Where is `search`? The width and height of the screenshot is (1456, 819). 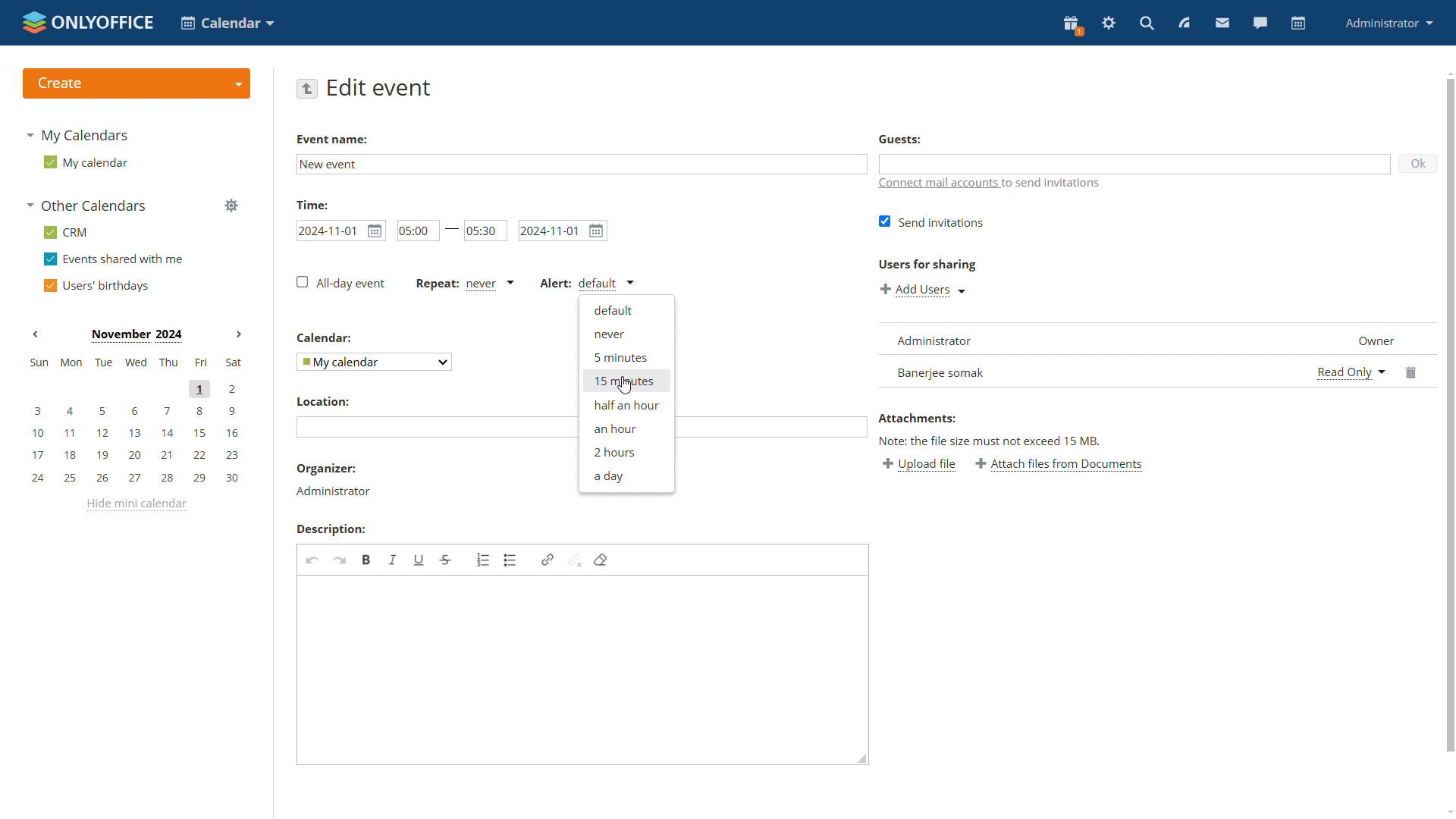 search is located at coordinates (1146, 24).